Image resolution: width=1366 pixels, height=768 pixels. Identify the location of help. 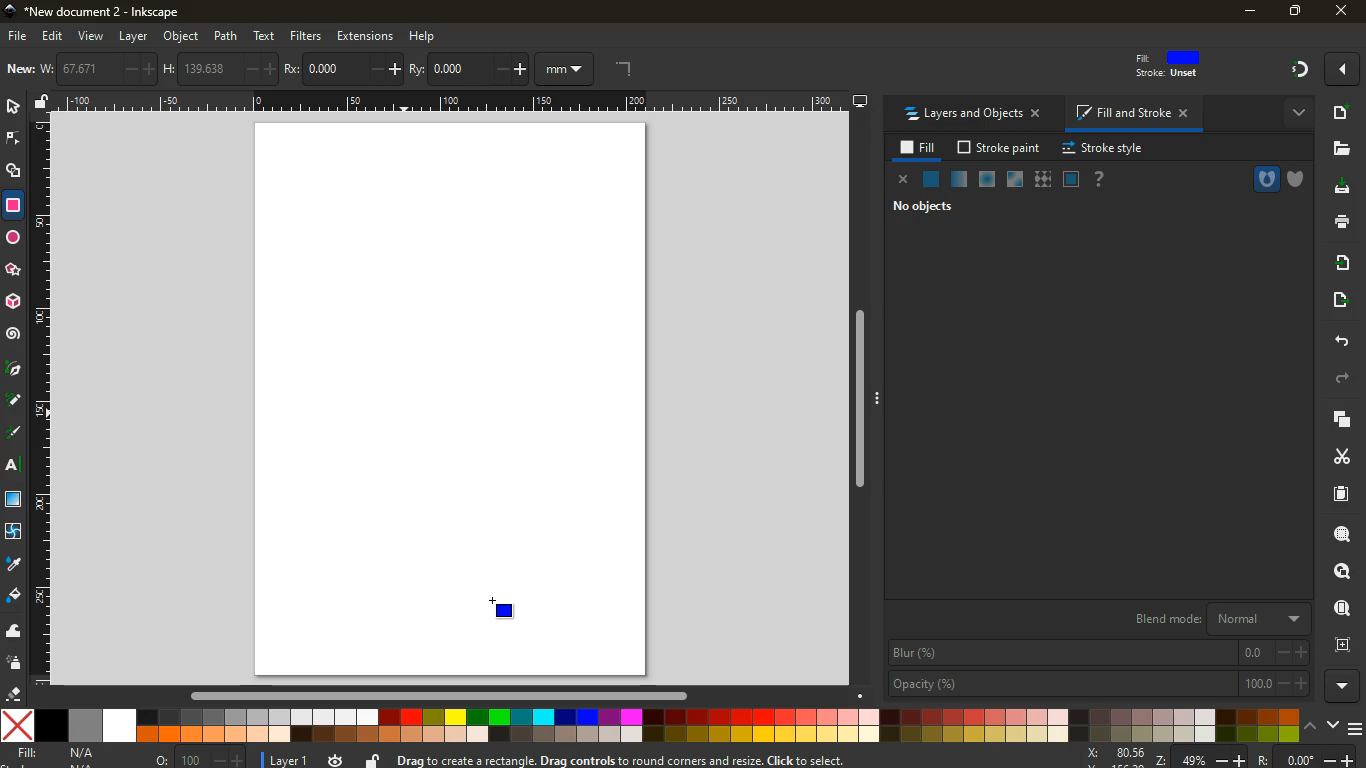
(1099, 179).